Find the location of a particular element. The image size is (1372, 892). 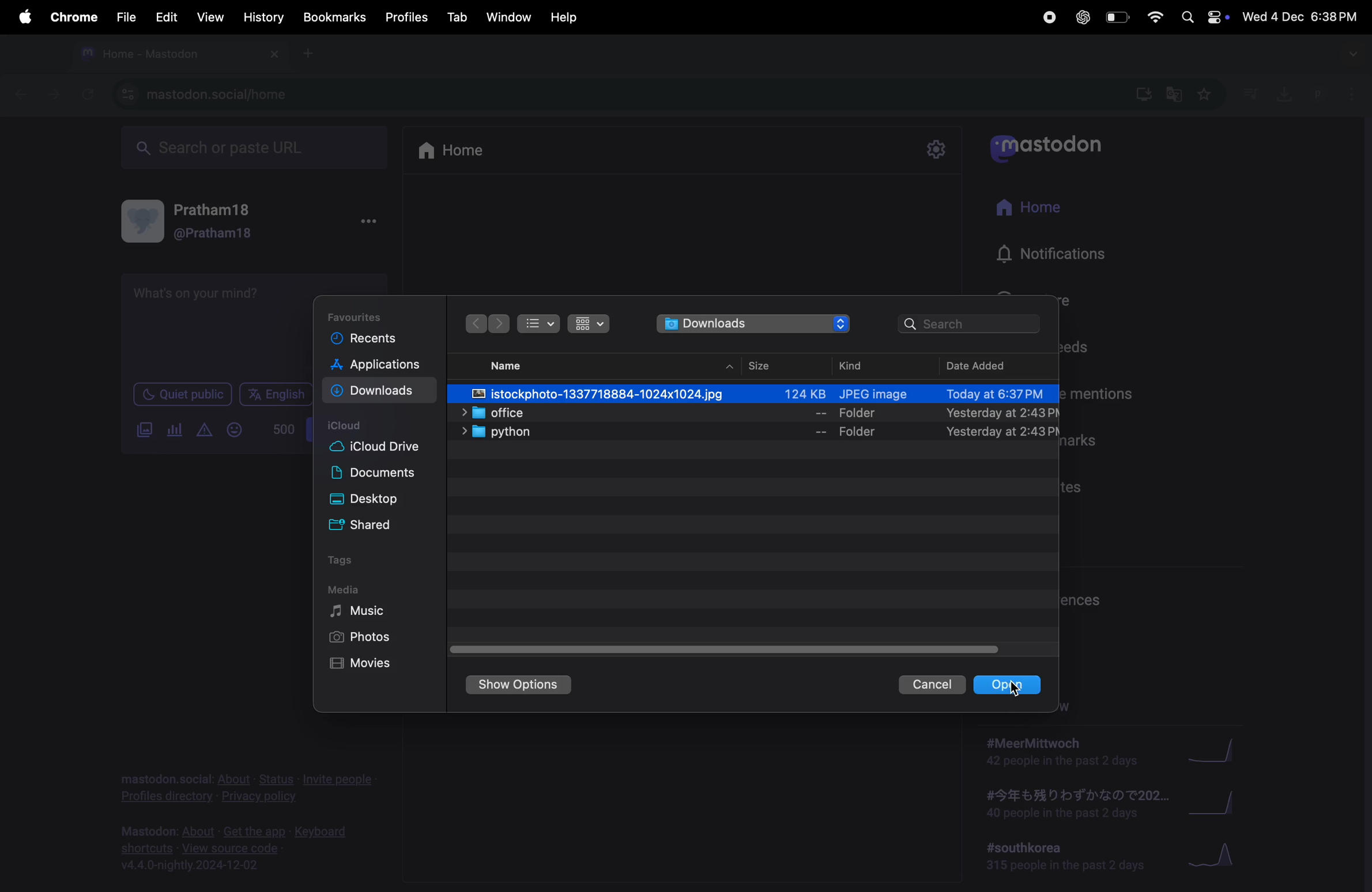

settings is located at coordinates (933, 149).